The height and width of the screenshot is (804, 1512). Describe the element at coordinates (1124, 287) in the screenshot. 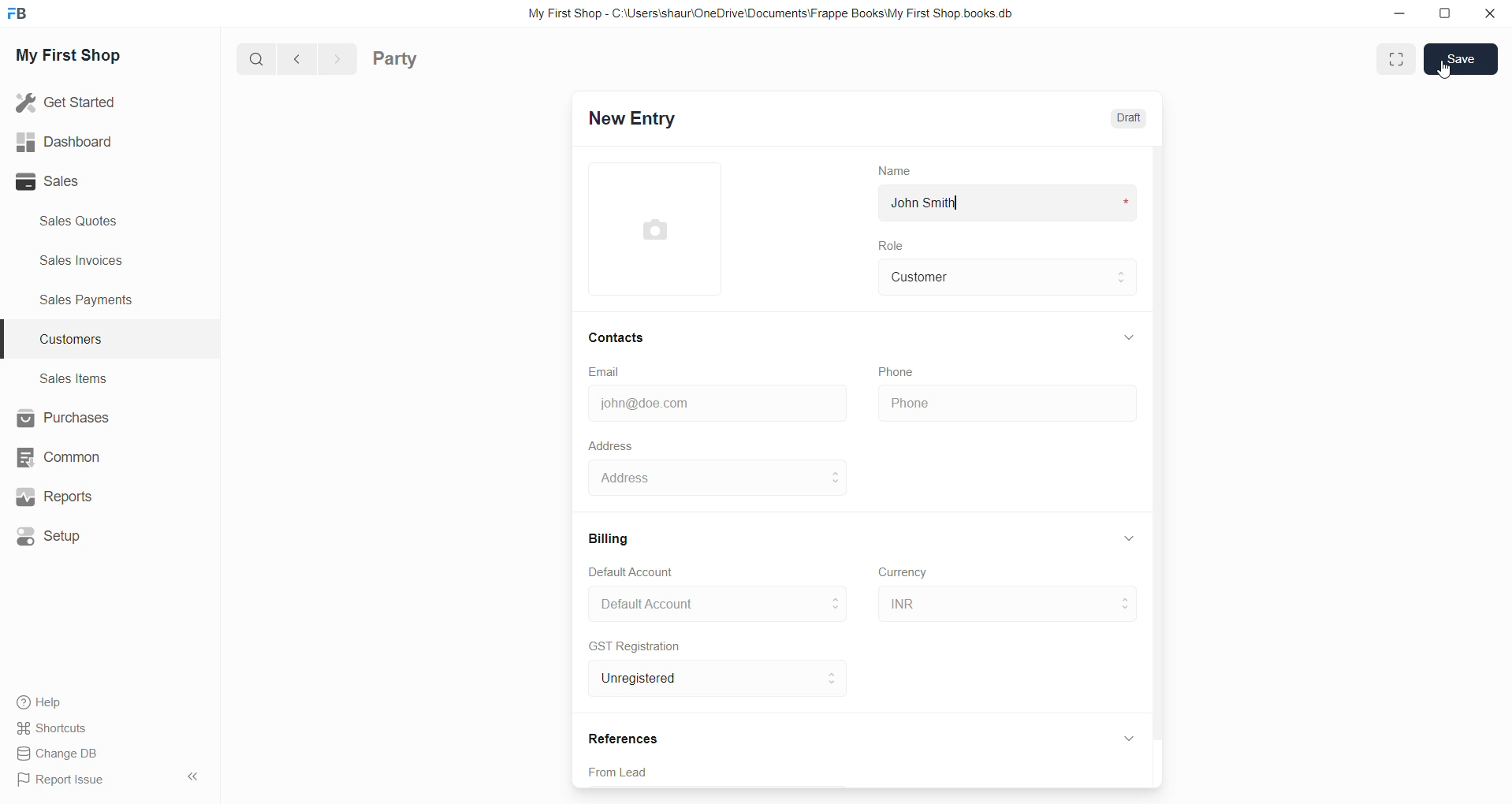

I see `move to down role` at that location.